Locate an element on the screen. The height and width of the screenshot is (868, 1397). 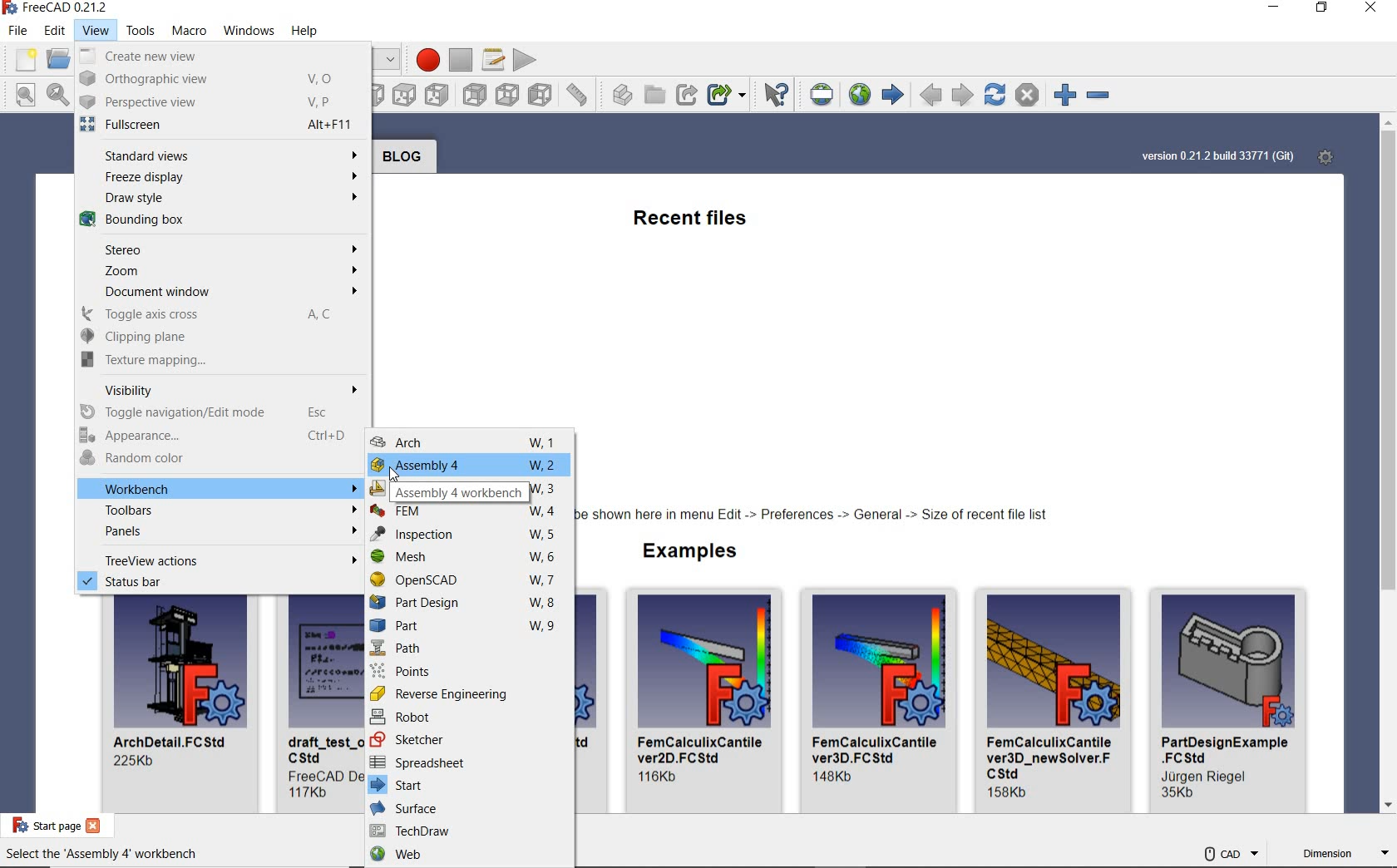
Mesh is located at coordinates (465, 558).